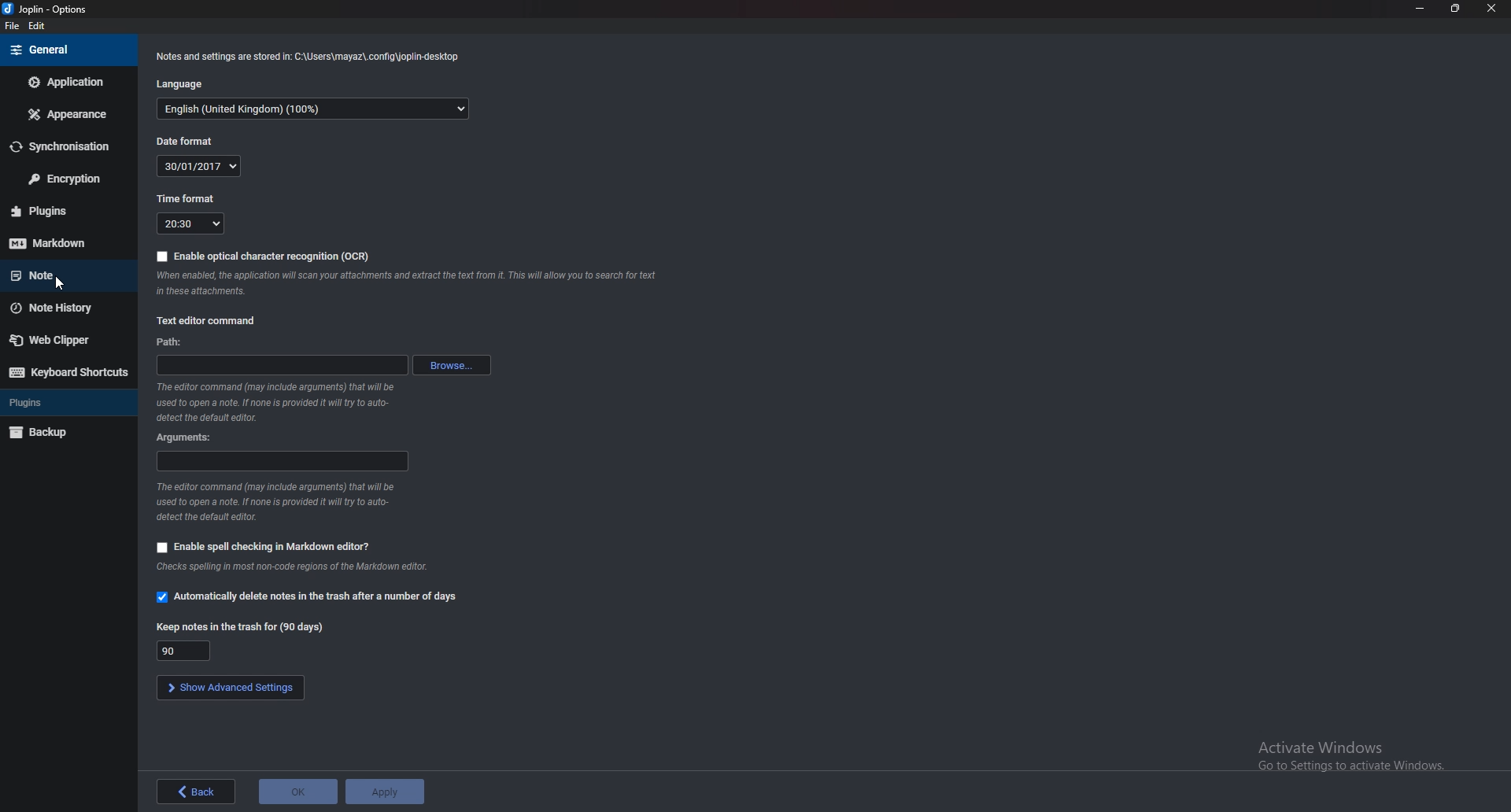 Image resolution: width=1511 pixels, height=812 pixels. I want to click on Application, so click(67, 82).